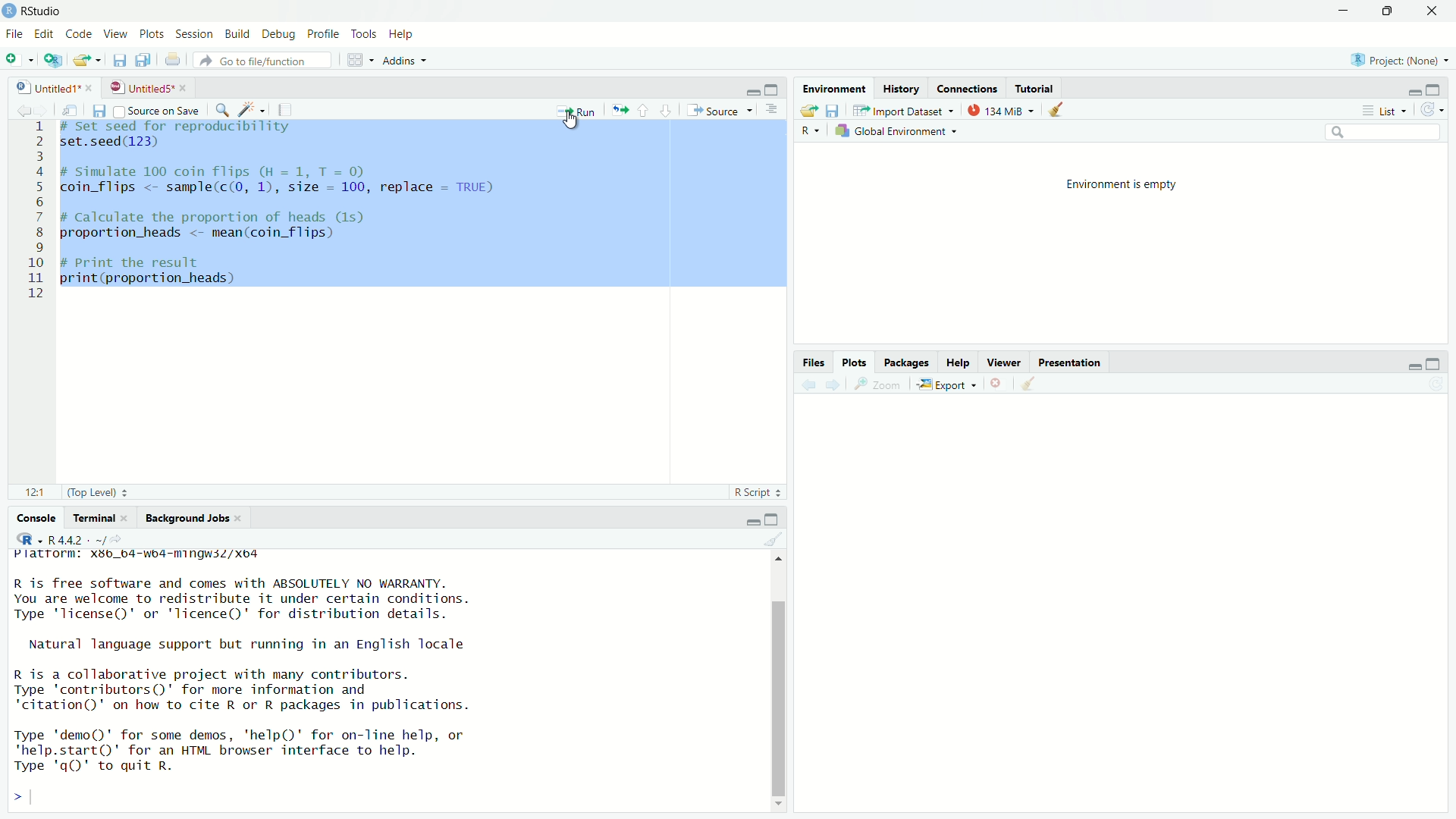  I want to click on build, so click(240, 33).